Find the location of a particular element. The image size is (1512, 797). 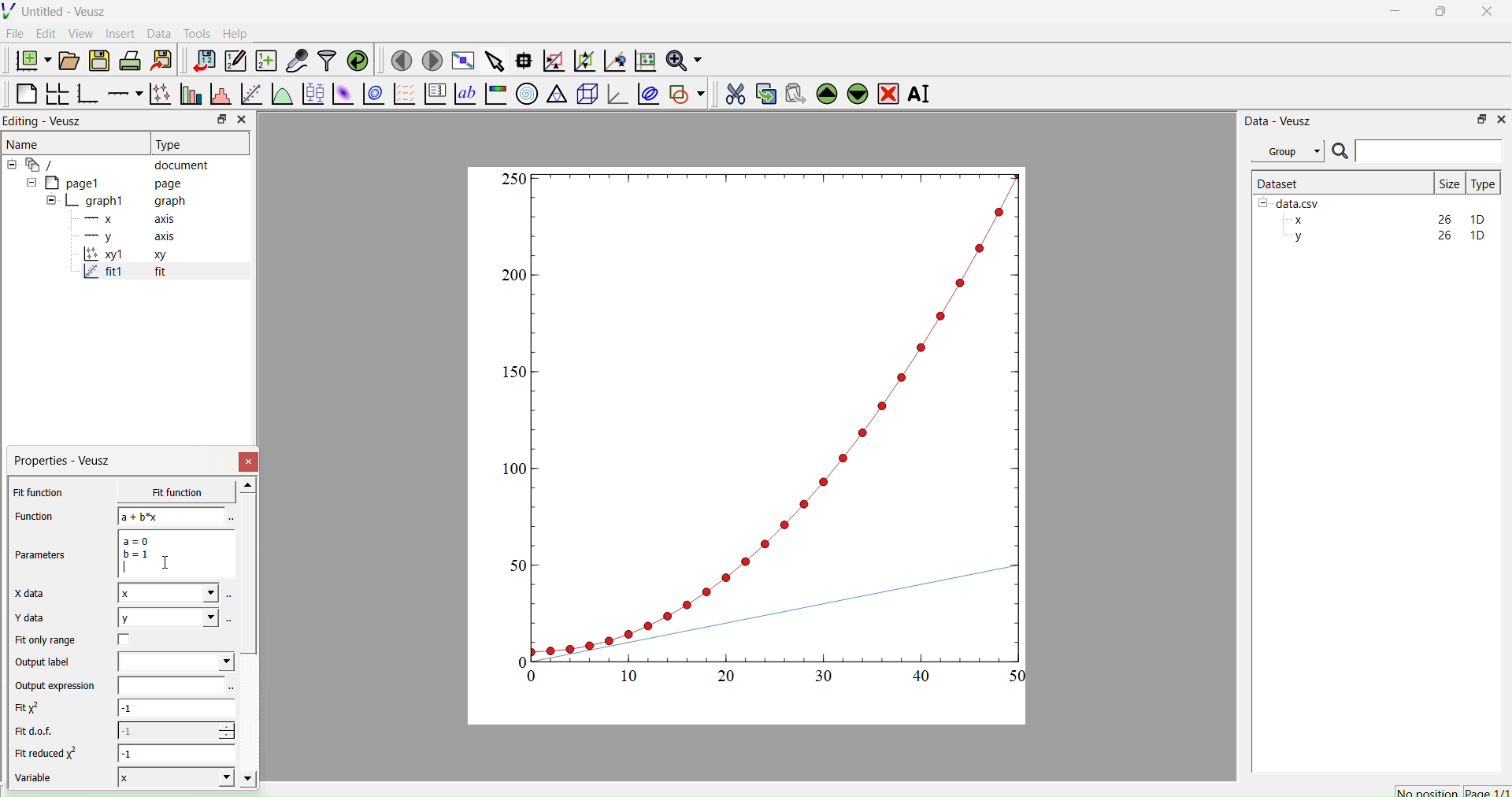

graph1 graph is located at coordinates (117, 202).